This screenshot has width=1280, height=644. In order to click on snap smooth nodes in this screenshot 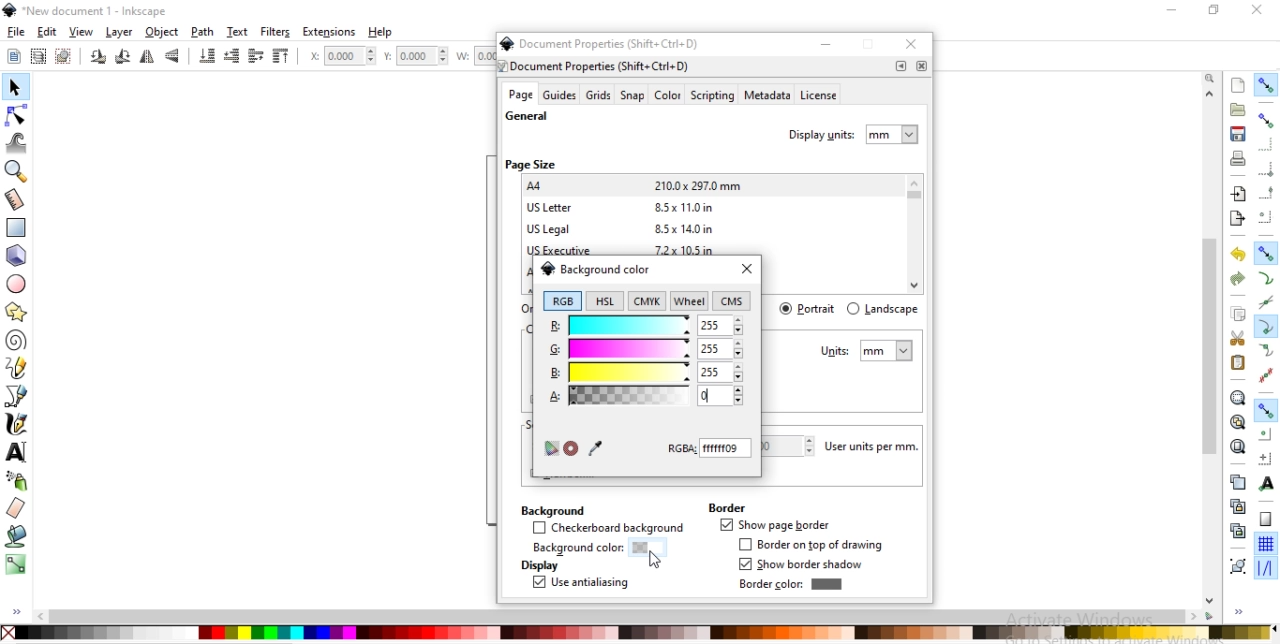, I will do `click(1264, 351)`.